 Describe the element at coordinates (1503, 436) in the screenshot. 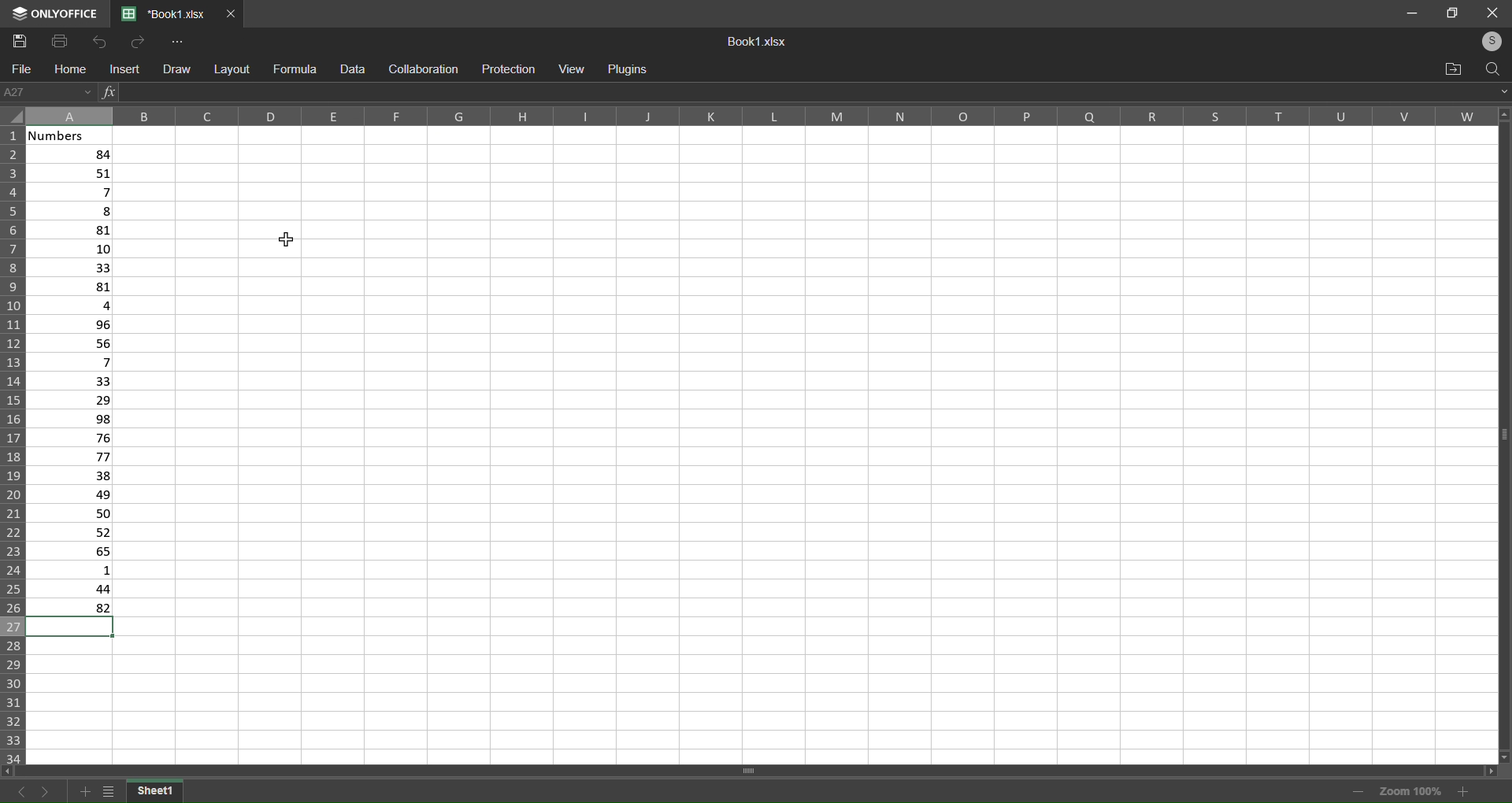

I see `Vertical scroll bar` at that location.